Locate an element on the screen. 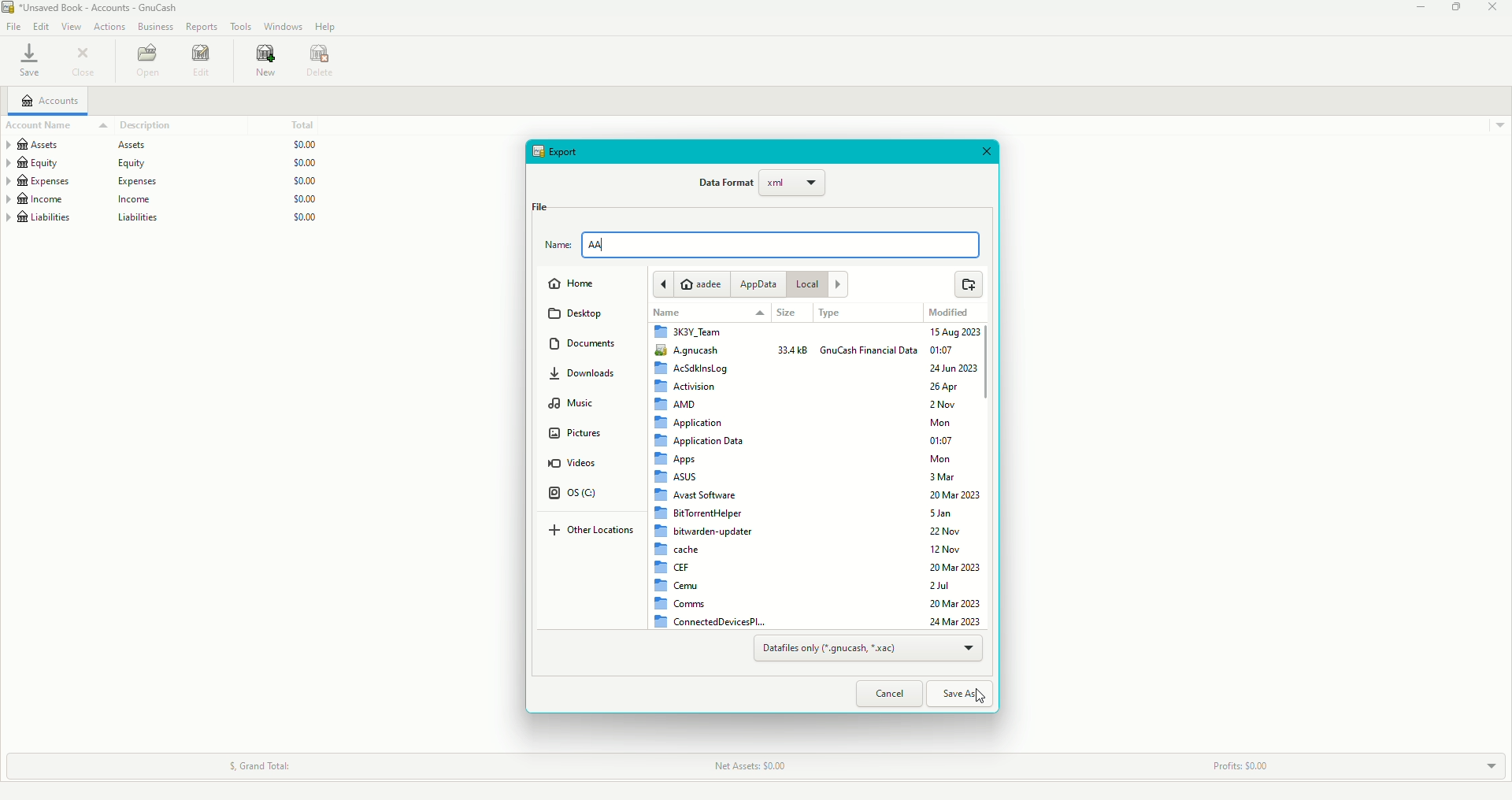  Net assets is located at coordinates (751, 765).